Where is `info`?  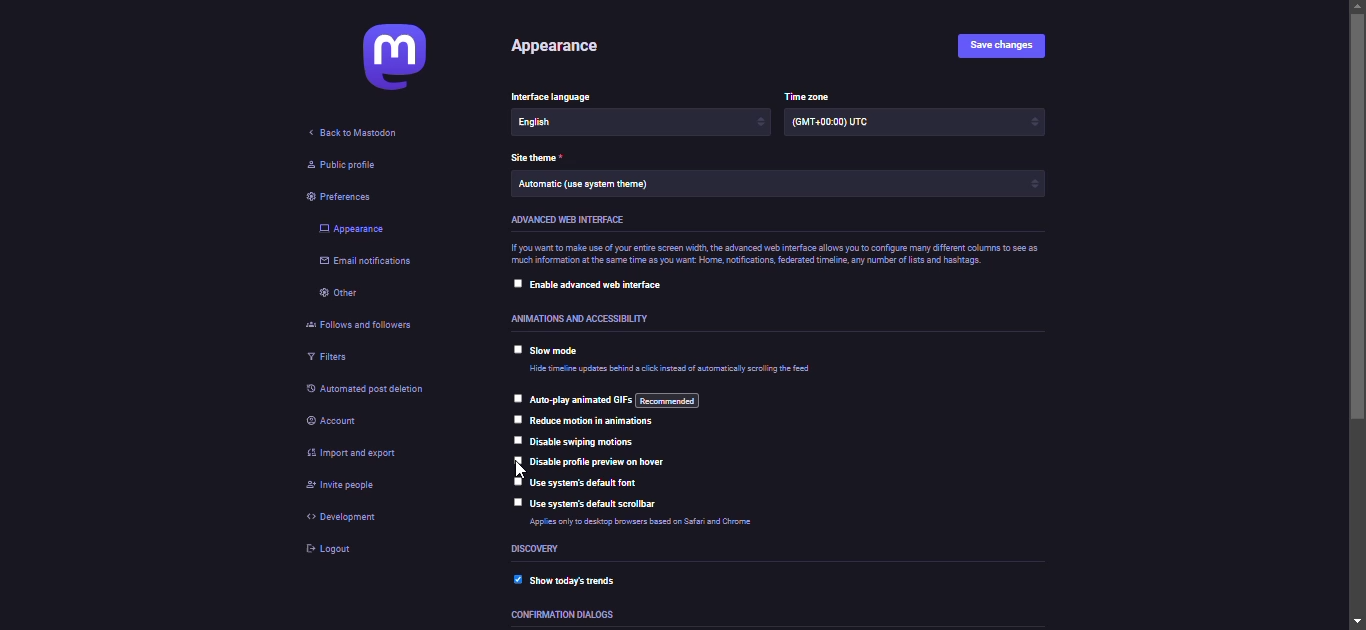
info is located at coordinates (771, 256).